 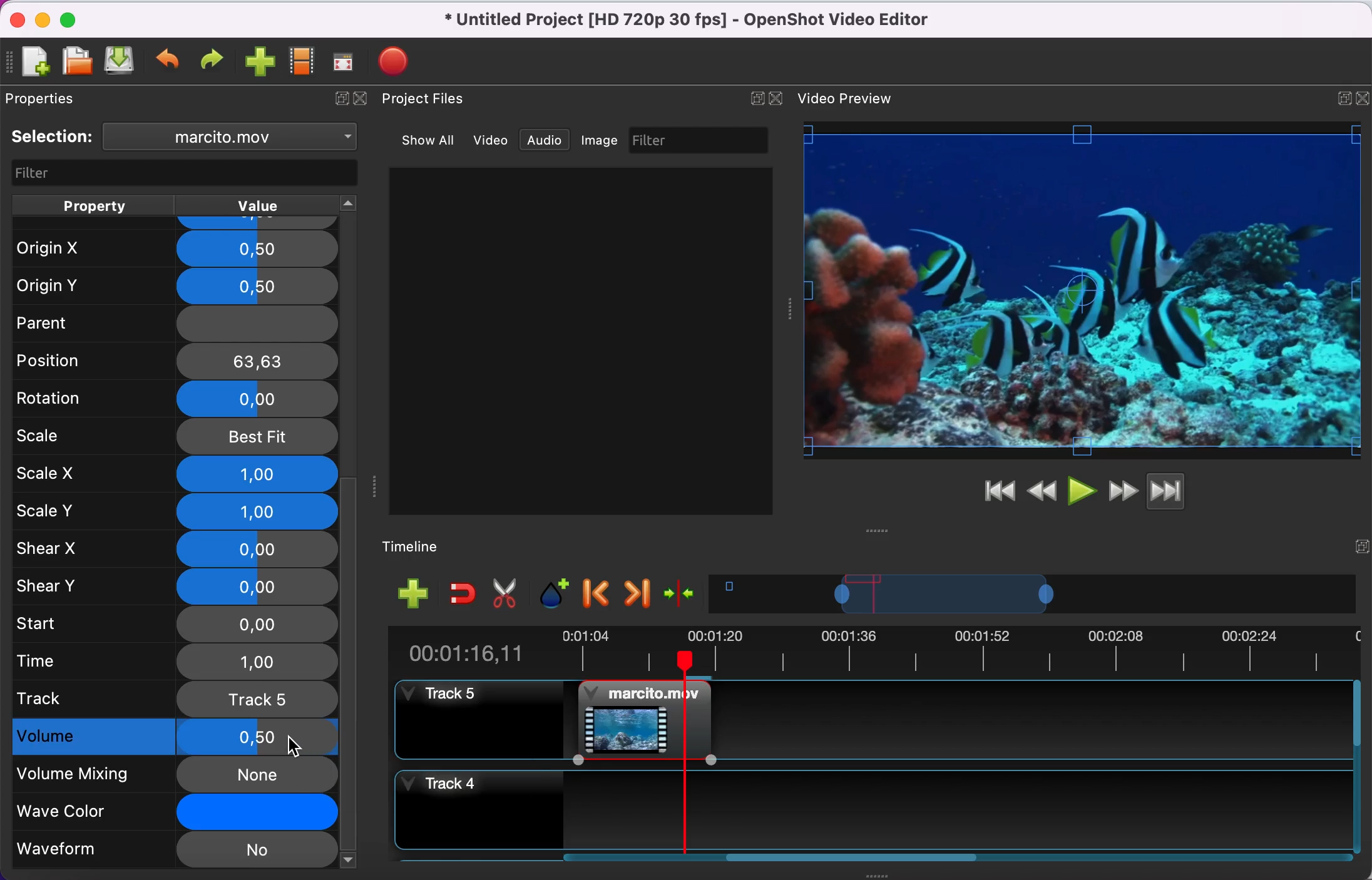 What do you see at coordinates (260, 63) in the screenshot?
I see `import file` at bounding box center [260, 63].